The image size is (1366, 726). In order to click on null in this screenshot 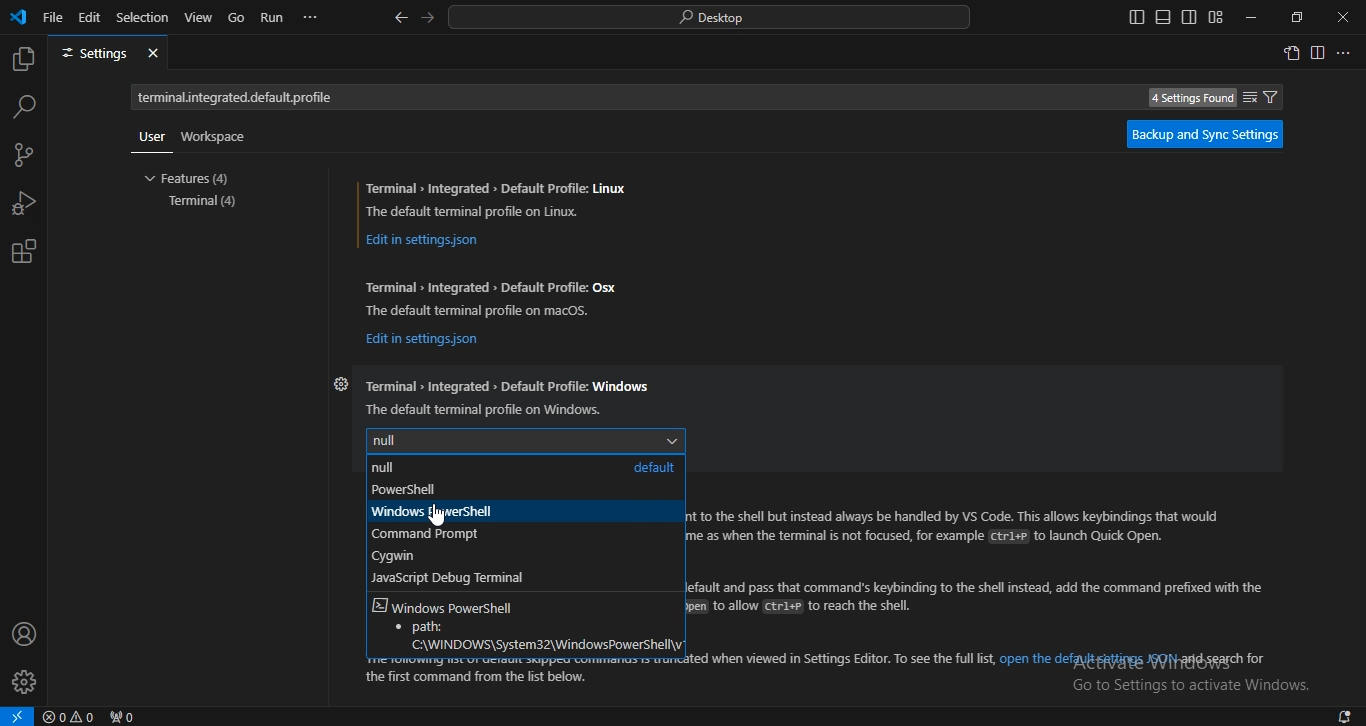, I will do `click(528, 441)`.